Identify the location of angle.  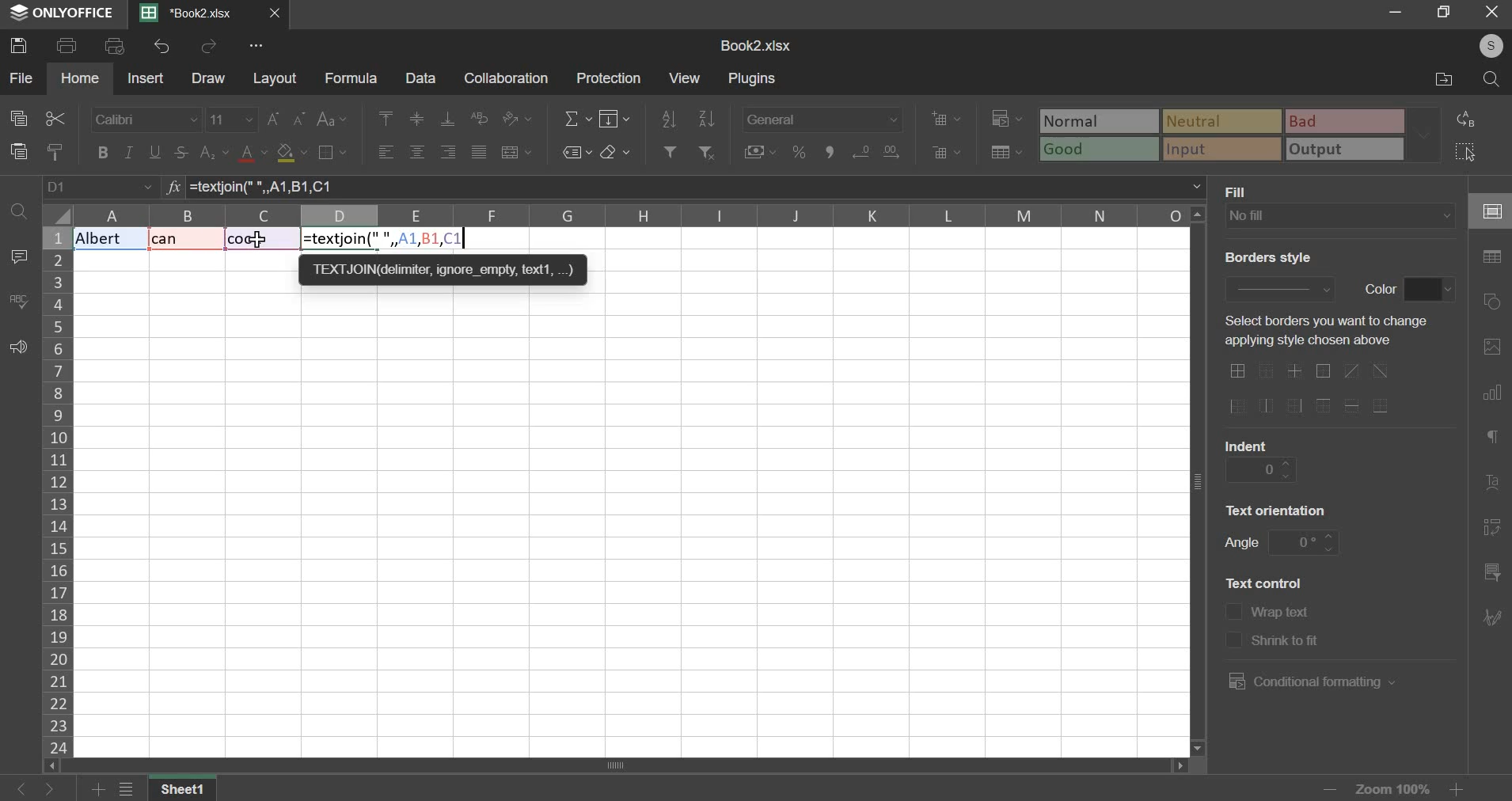
(1305, 541).